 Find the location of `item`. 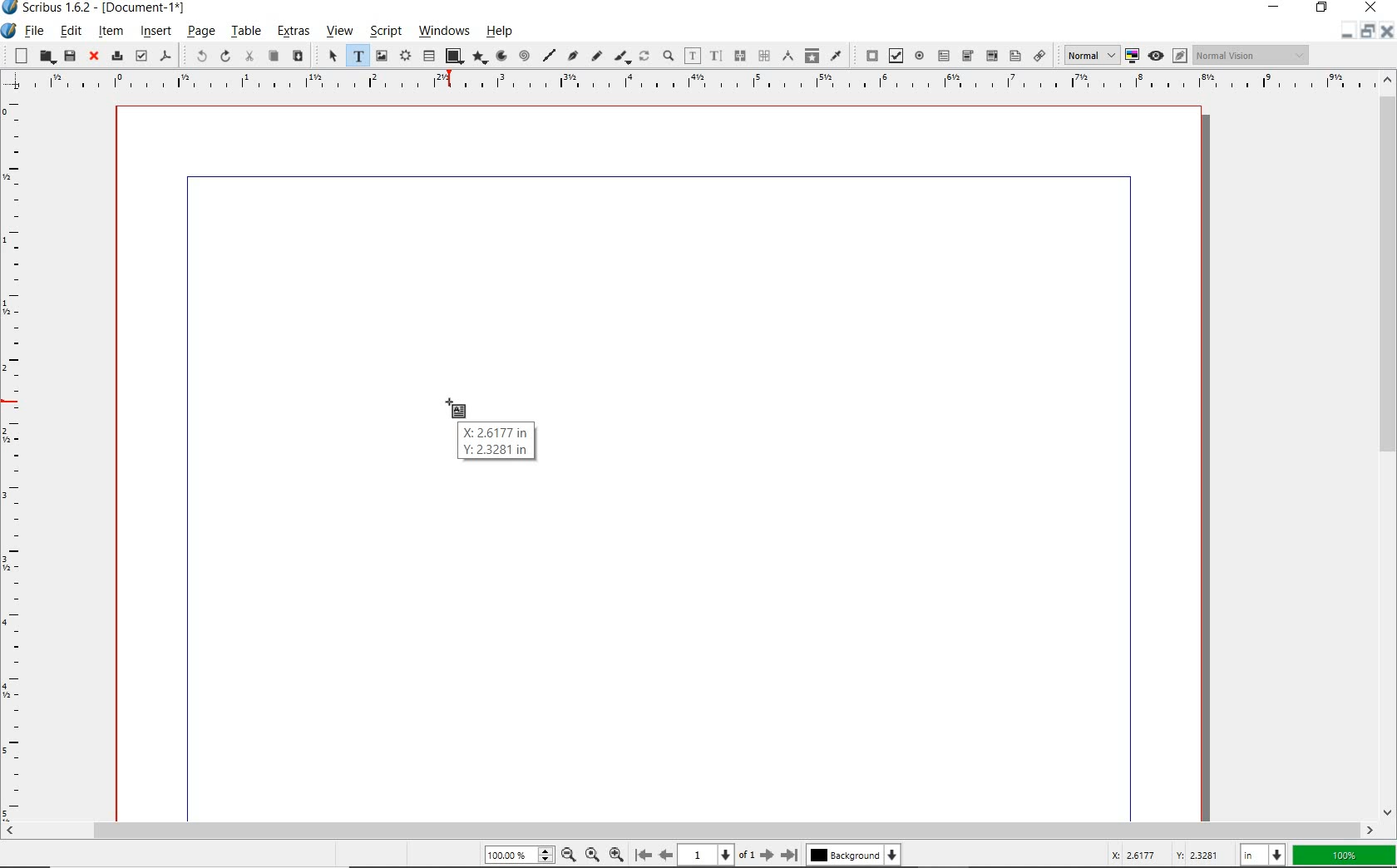

item is located at coordinates (112, 33).